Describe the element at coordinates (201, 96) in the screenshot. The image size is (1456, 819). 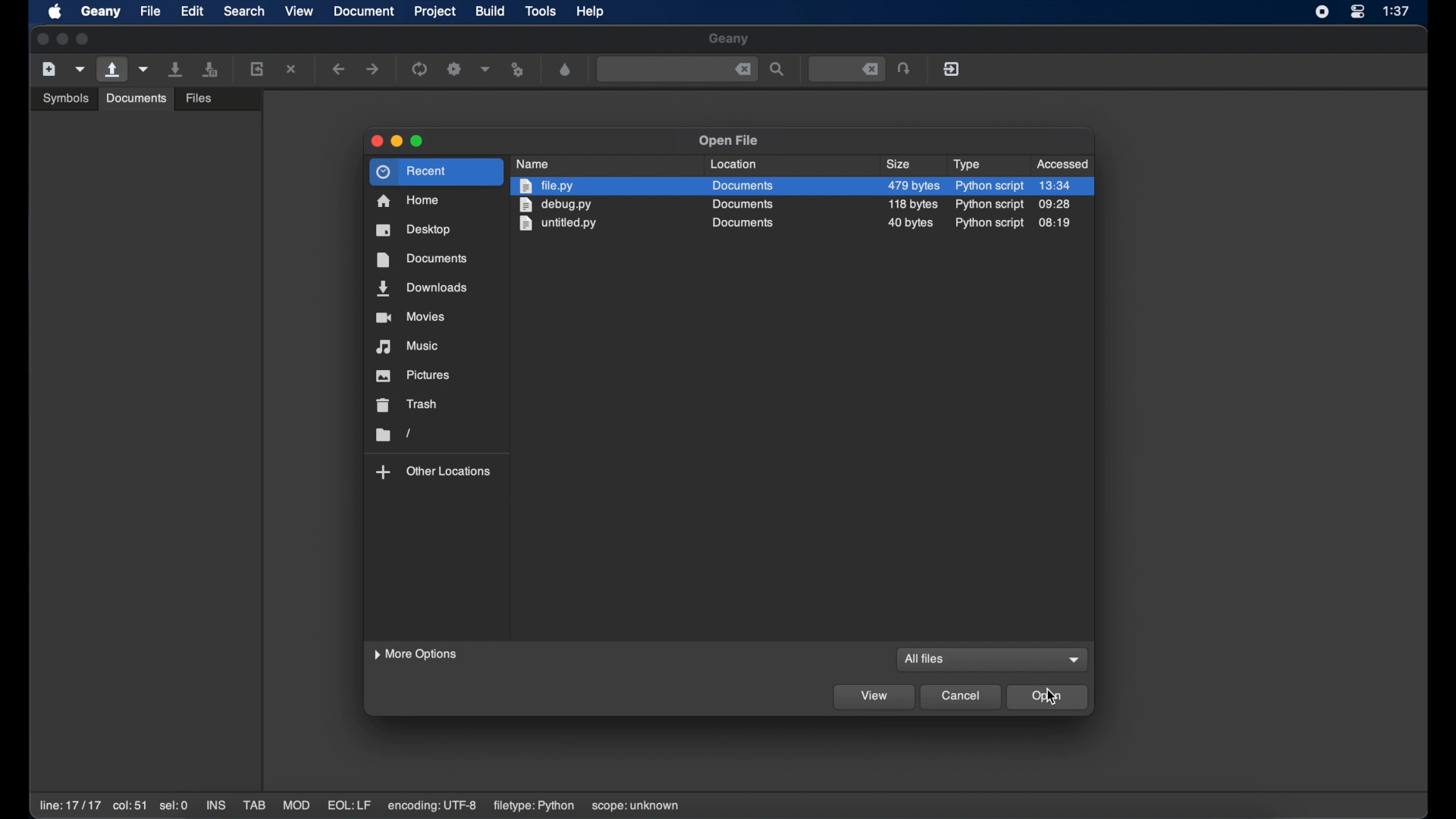
I see `files` at that location.